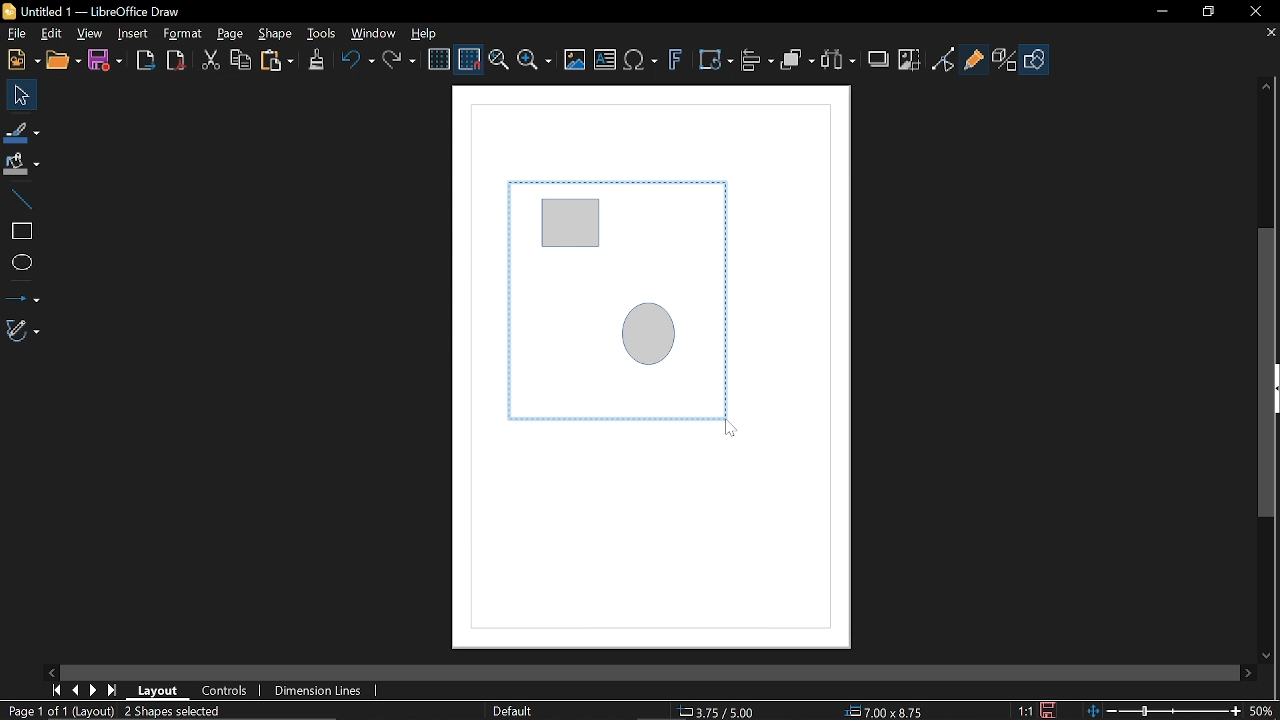  What do you see at coordinates (1049, 710) in the screenshot?
I see `Save` at bounding box center [1049, 710].